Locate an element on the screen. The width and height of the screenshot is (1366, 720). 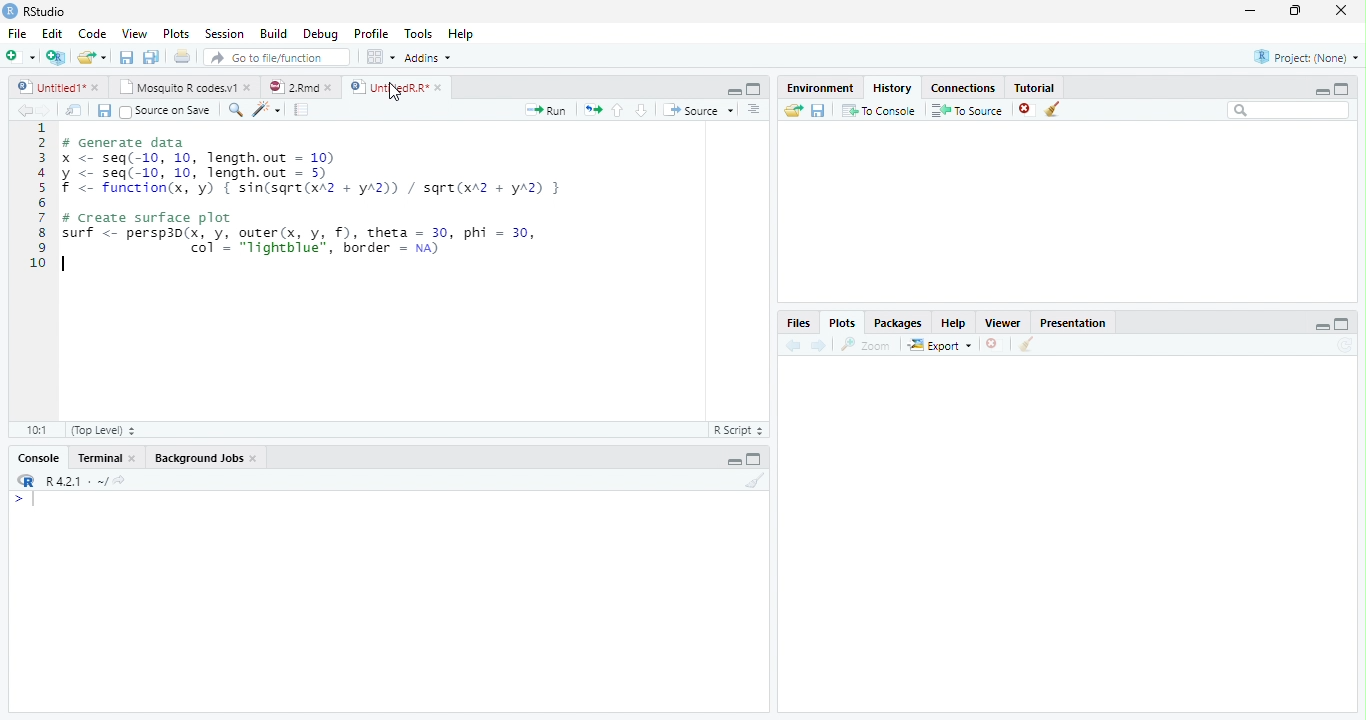
View is located at coordinates (134, 33).